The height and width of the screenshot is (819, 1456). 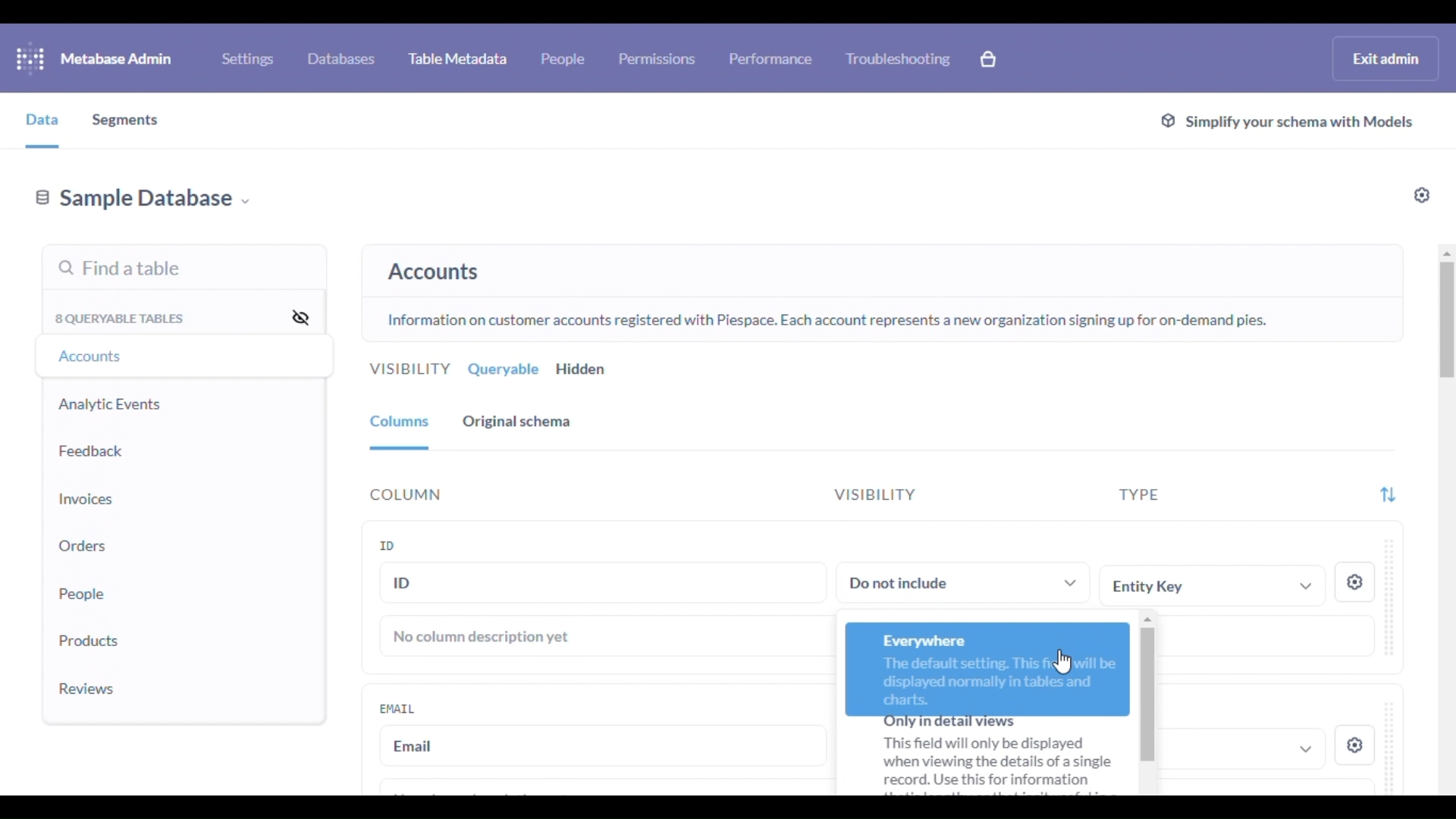 I want to click on hide all, so click(x=300, y=316).